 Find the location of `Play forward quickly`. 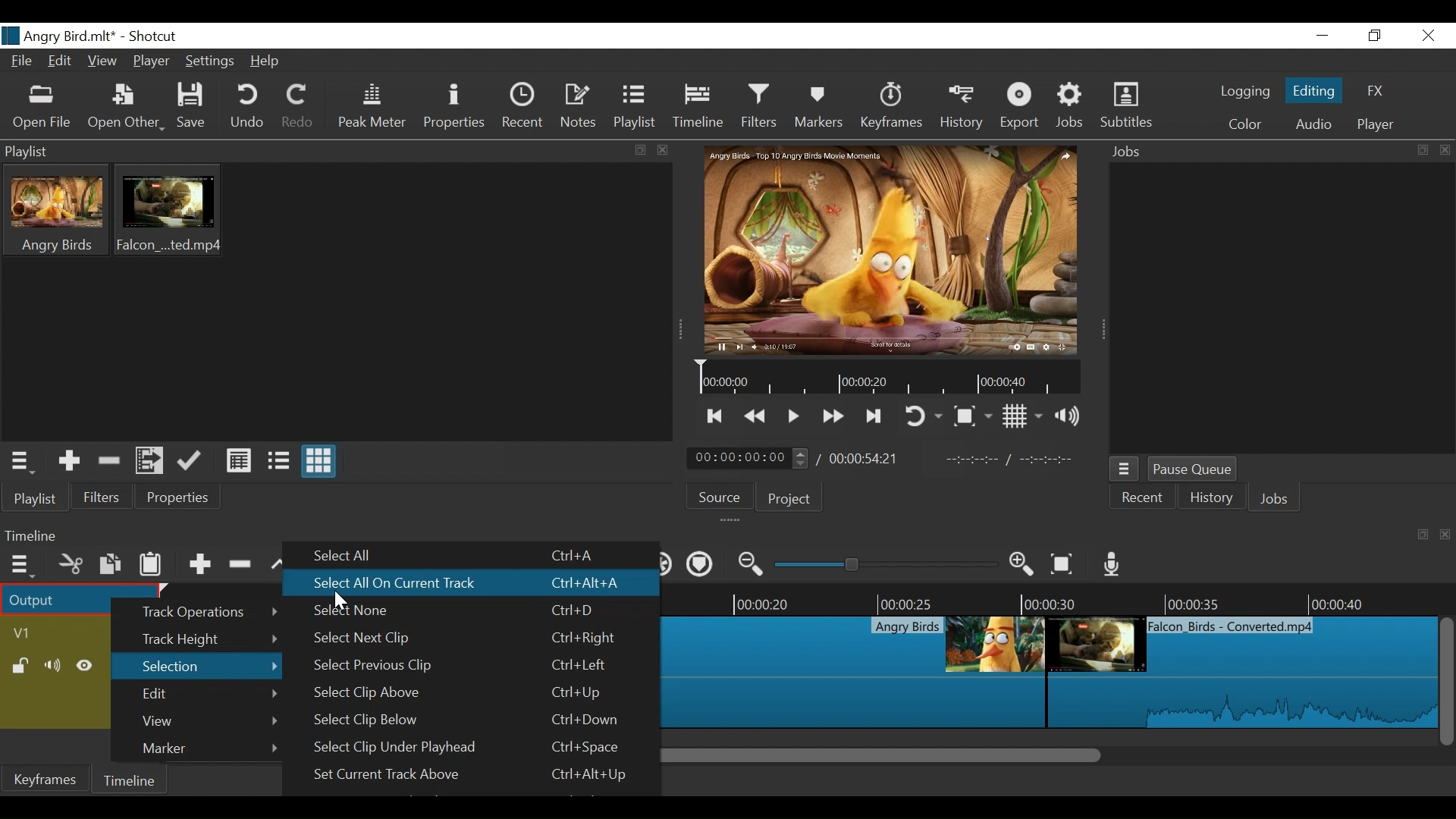

Play forward quickly is located at coordinates (833, 415).